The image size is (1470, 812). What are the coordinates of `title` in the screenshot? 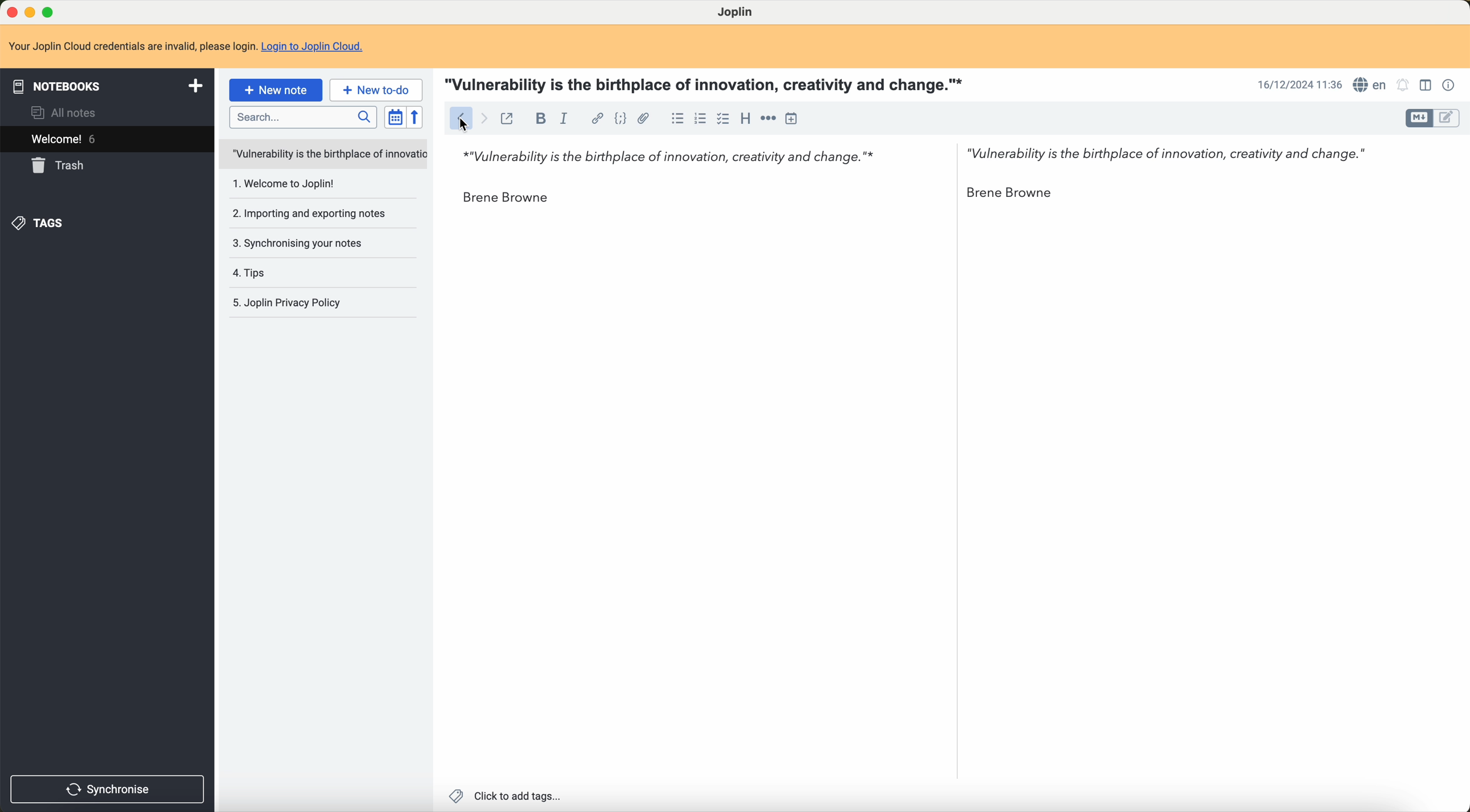 It's located at (708, 85).